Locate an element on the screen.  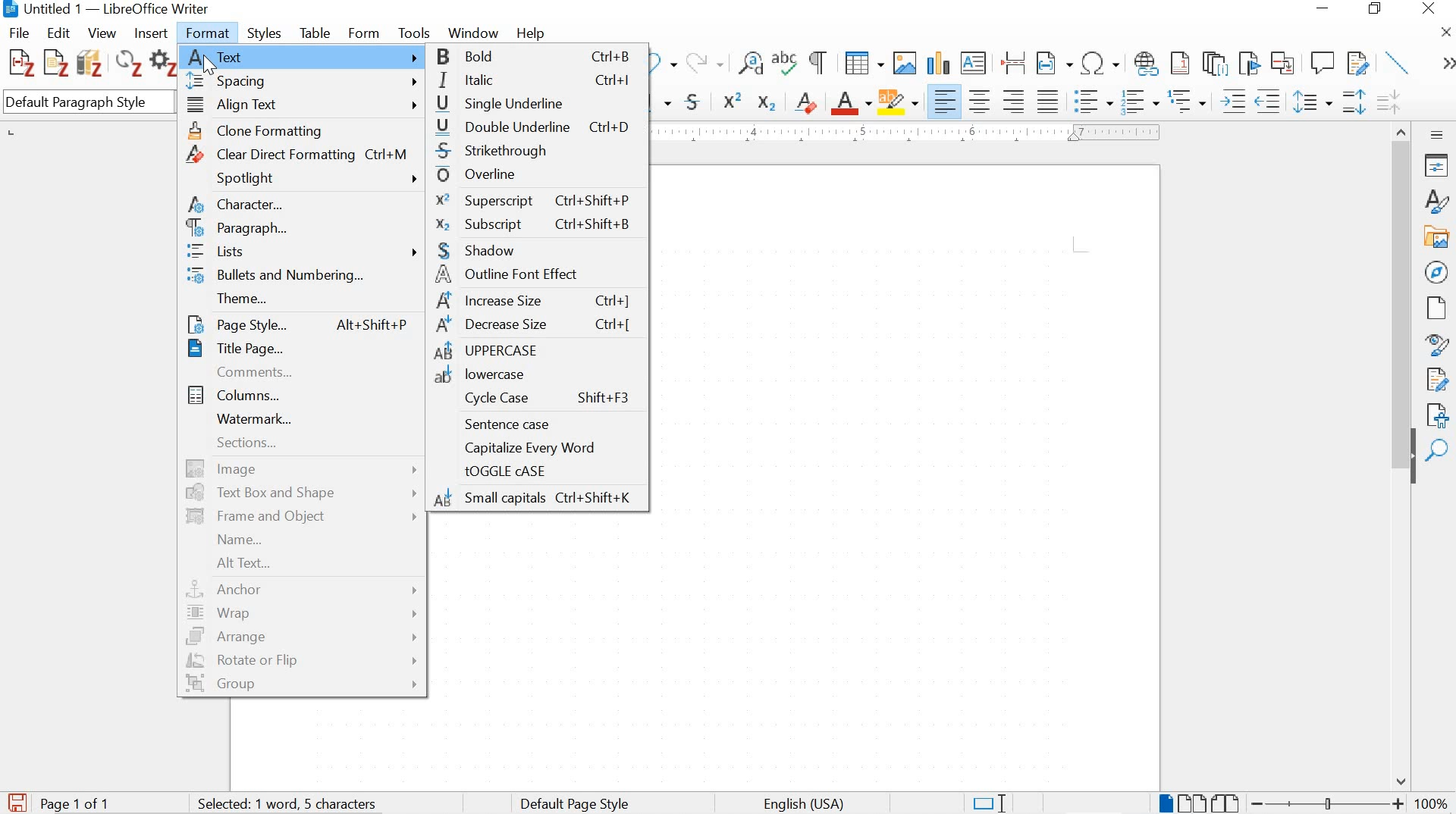
hide sidebar is located at coordinates (1412, 465).